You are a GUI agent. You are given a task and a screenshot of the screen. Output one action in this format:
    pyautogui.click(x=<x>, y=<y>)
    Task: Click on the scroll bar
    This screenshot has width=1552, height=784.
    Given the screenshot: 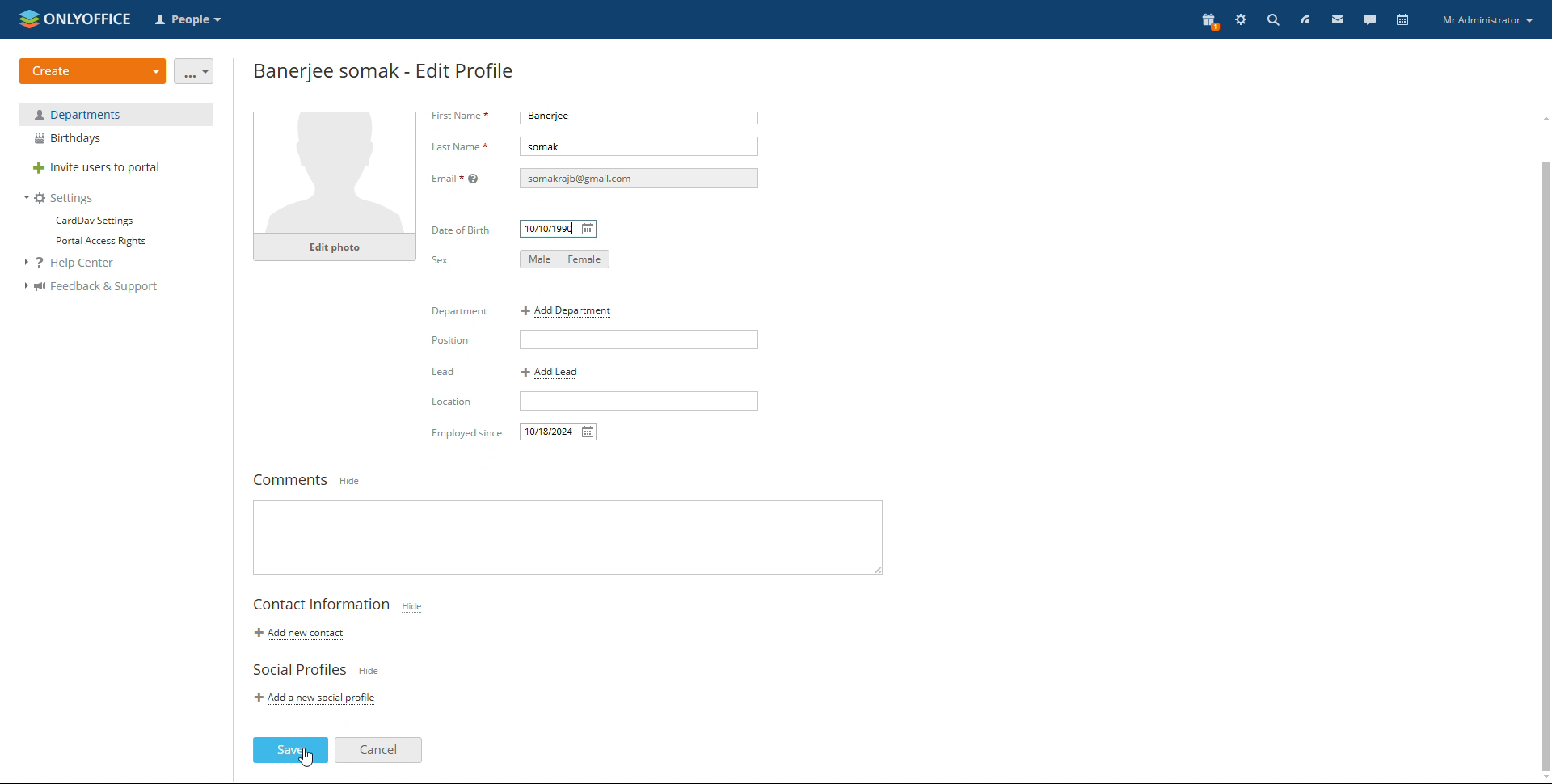 What is the action you would take?
    pyautogui.click(x=1542, y=449)
    